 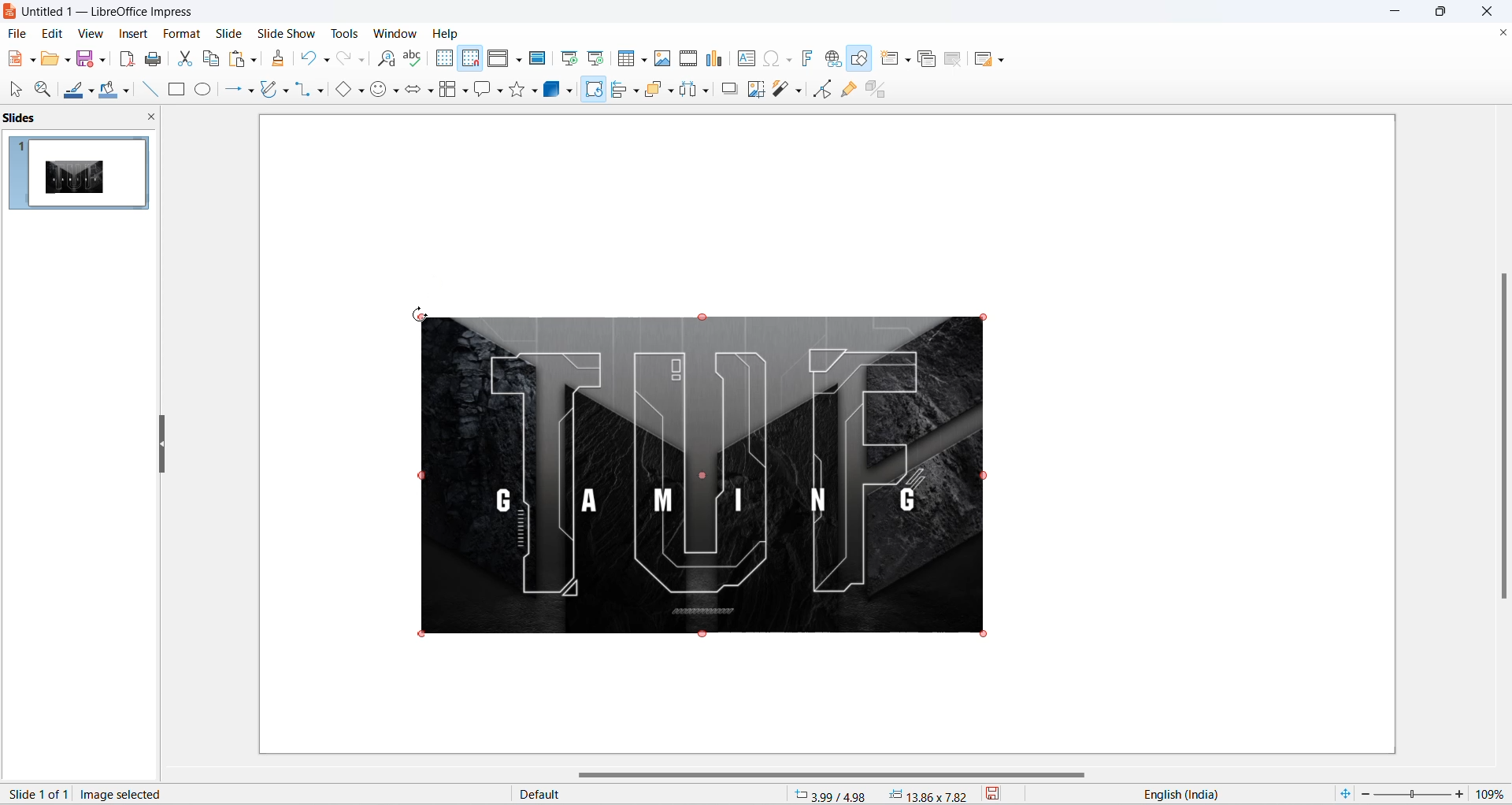 What do you see at coordinates (519, 61) in the screenshot?
I see `display views option` at bounding box center [519, 61].